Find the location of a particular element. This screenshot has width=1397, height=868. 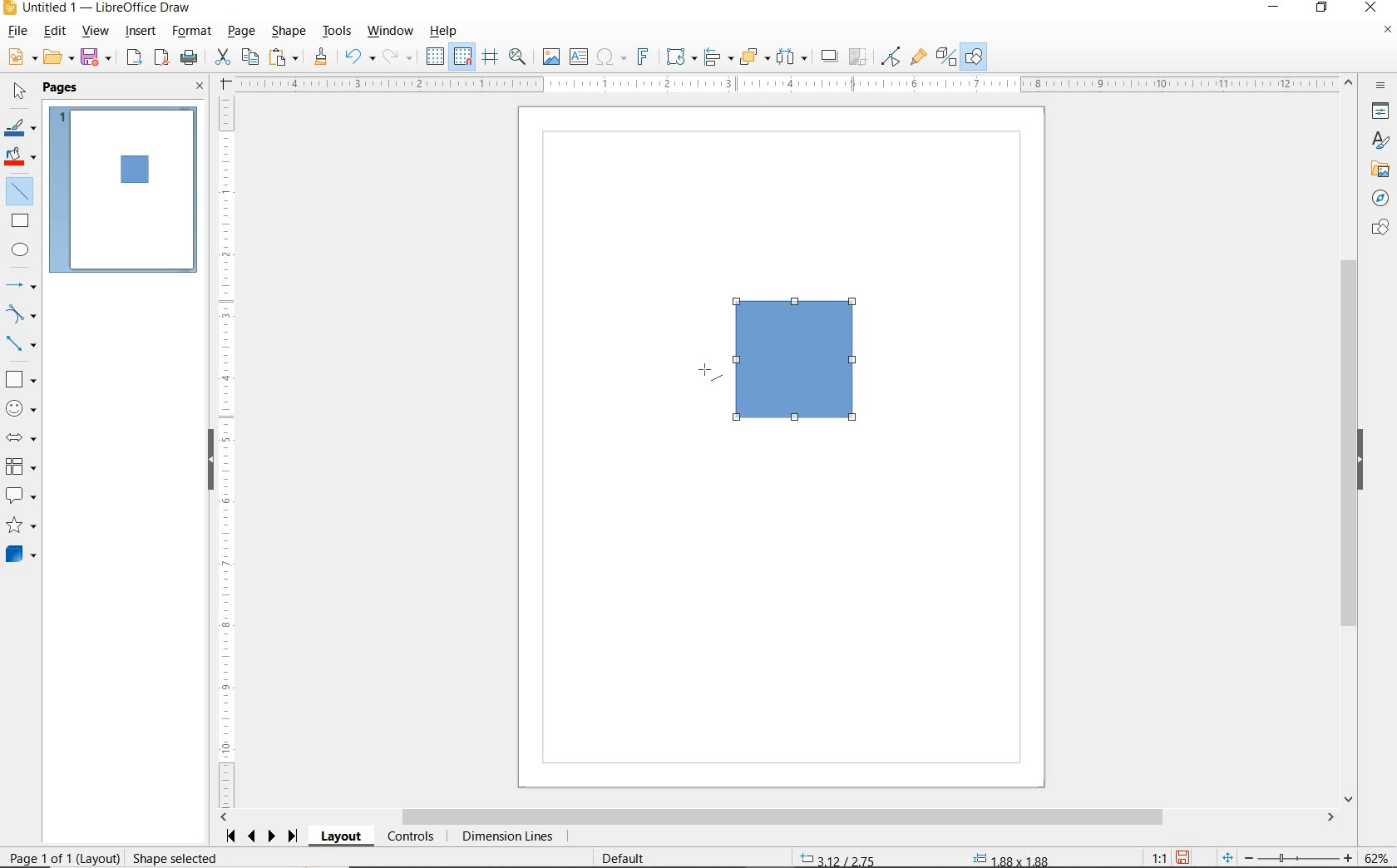

FORMAT is located at coordinates (192, 32).